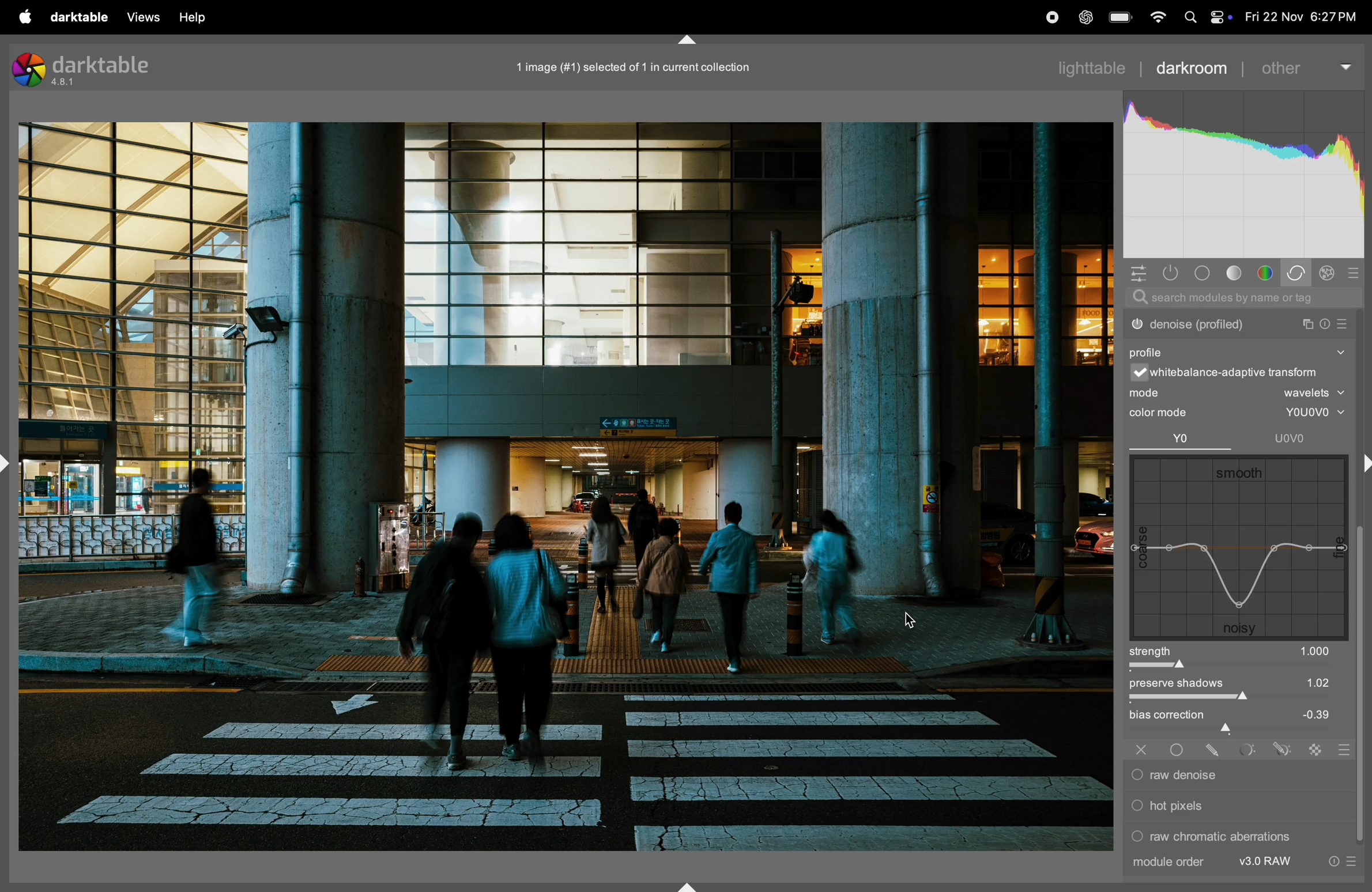  What do you see at coordinates (1120, 18) in the screenshot?
I see `battery` at bounding box center [1120, 18].